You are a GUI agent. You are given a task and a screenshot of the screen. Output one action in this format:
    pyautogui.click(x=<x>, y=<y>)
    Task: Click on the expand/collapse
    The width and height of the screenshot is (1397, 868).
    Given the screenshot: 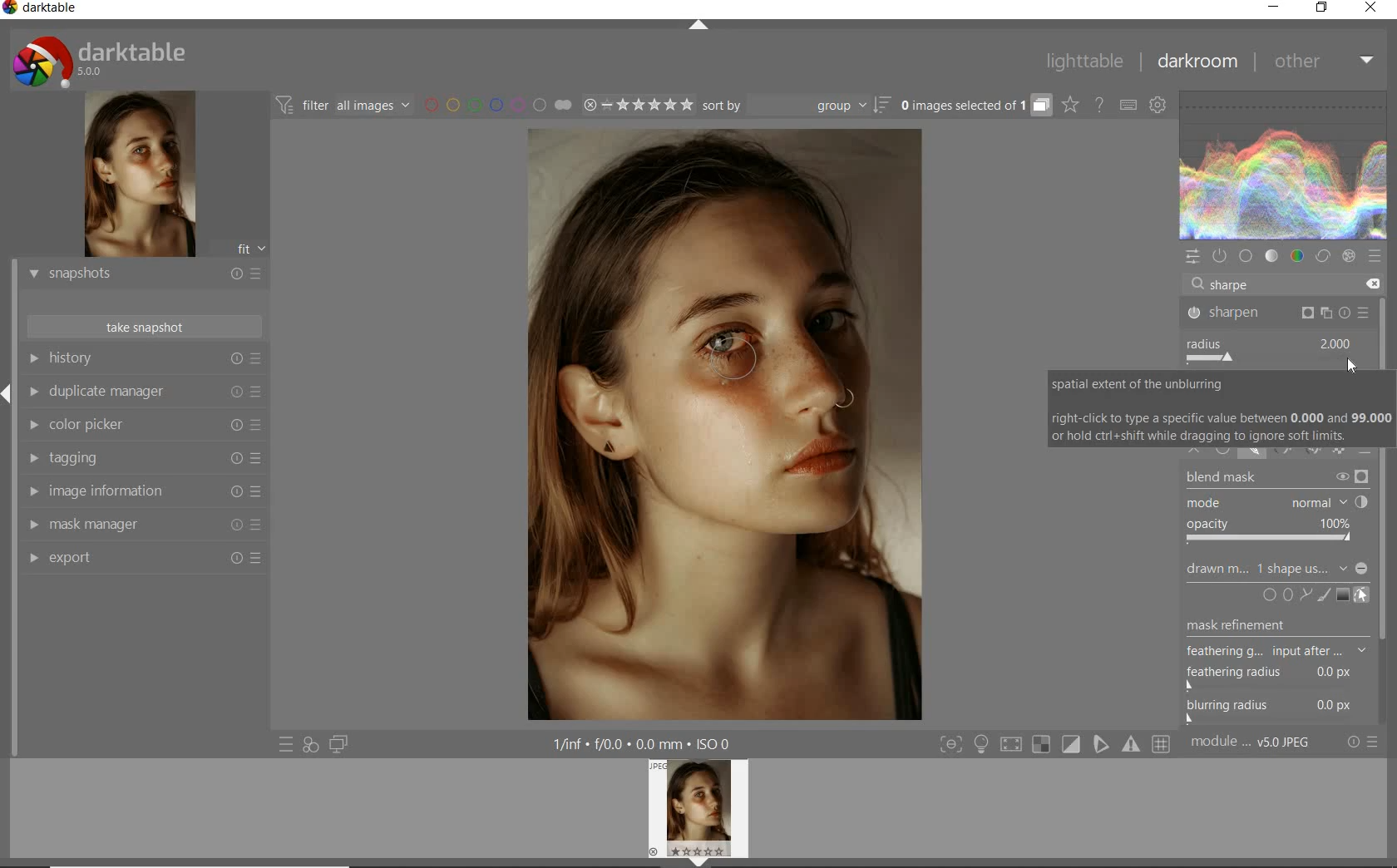 What is the action you would take?
    pyautogui.click(x=699, y=28)
    